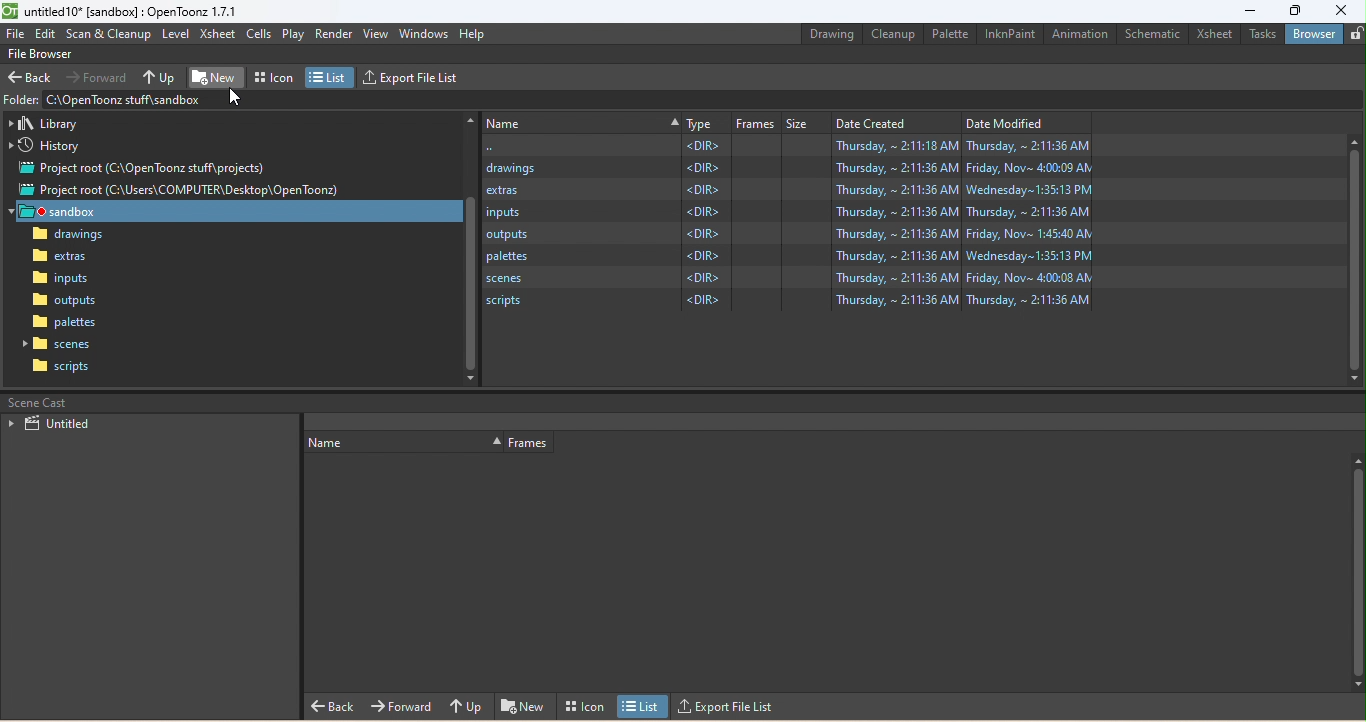  I want to click on cursor, so click(237, 101).